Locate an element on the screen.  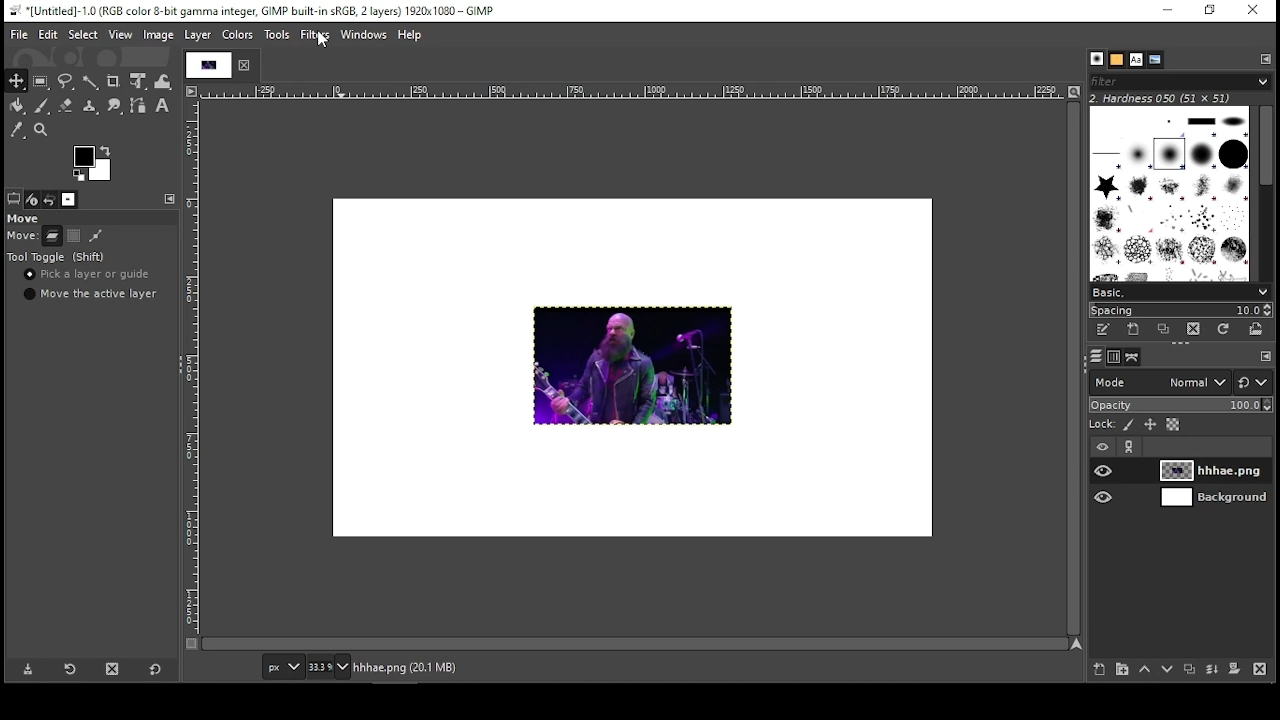
eraser tool is located at coordinates (67, 105).